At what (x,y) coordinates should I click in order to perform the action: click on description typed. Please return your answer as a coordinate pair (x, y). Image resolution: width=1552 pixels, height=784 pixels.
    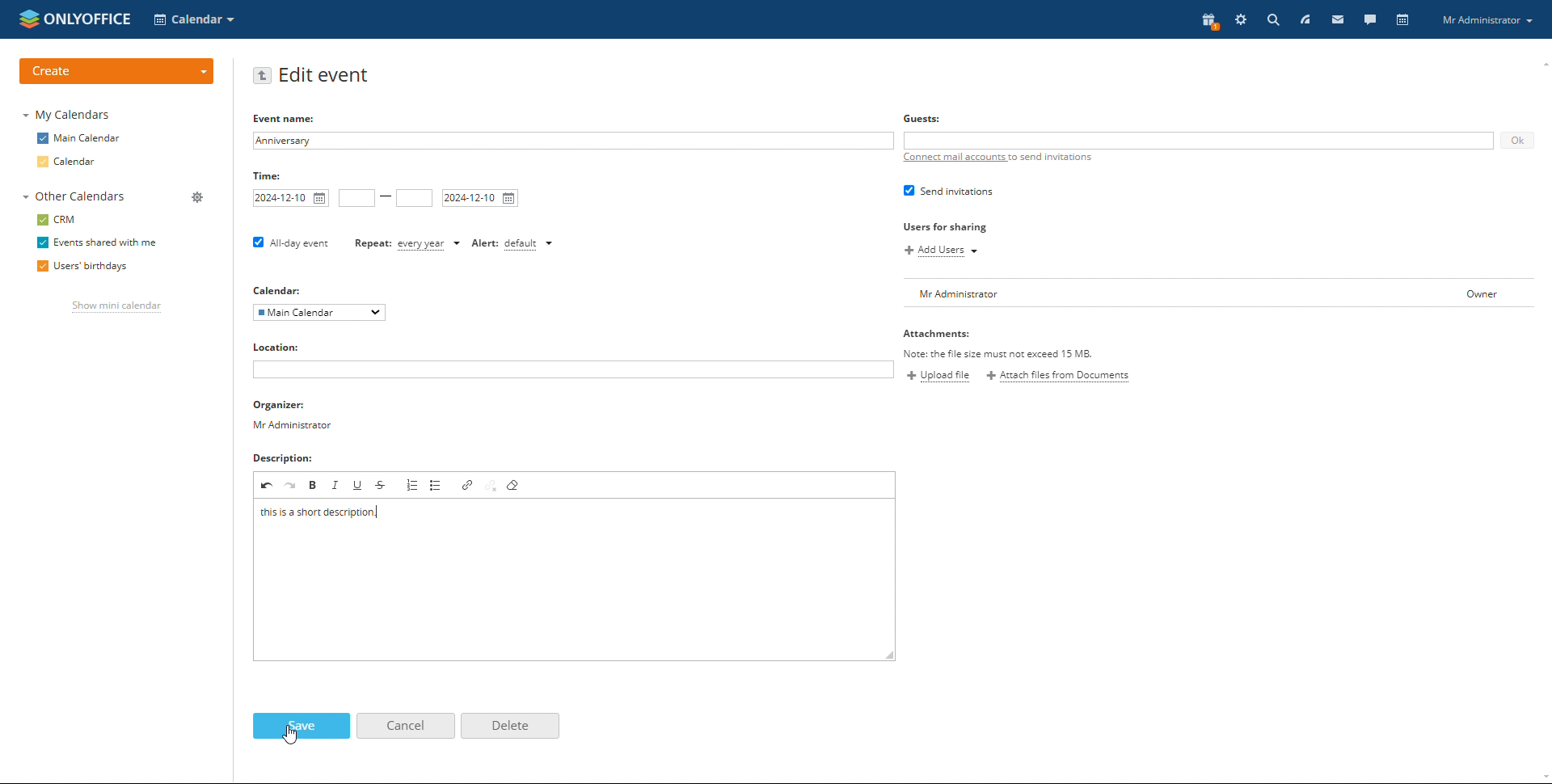
    Looking at the image, I should click on (323, 513).